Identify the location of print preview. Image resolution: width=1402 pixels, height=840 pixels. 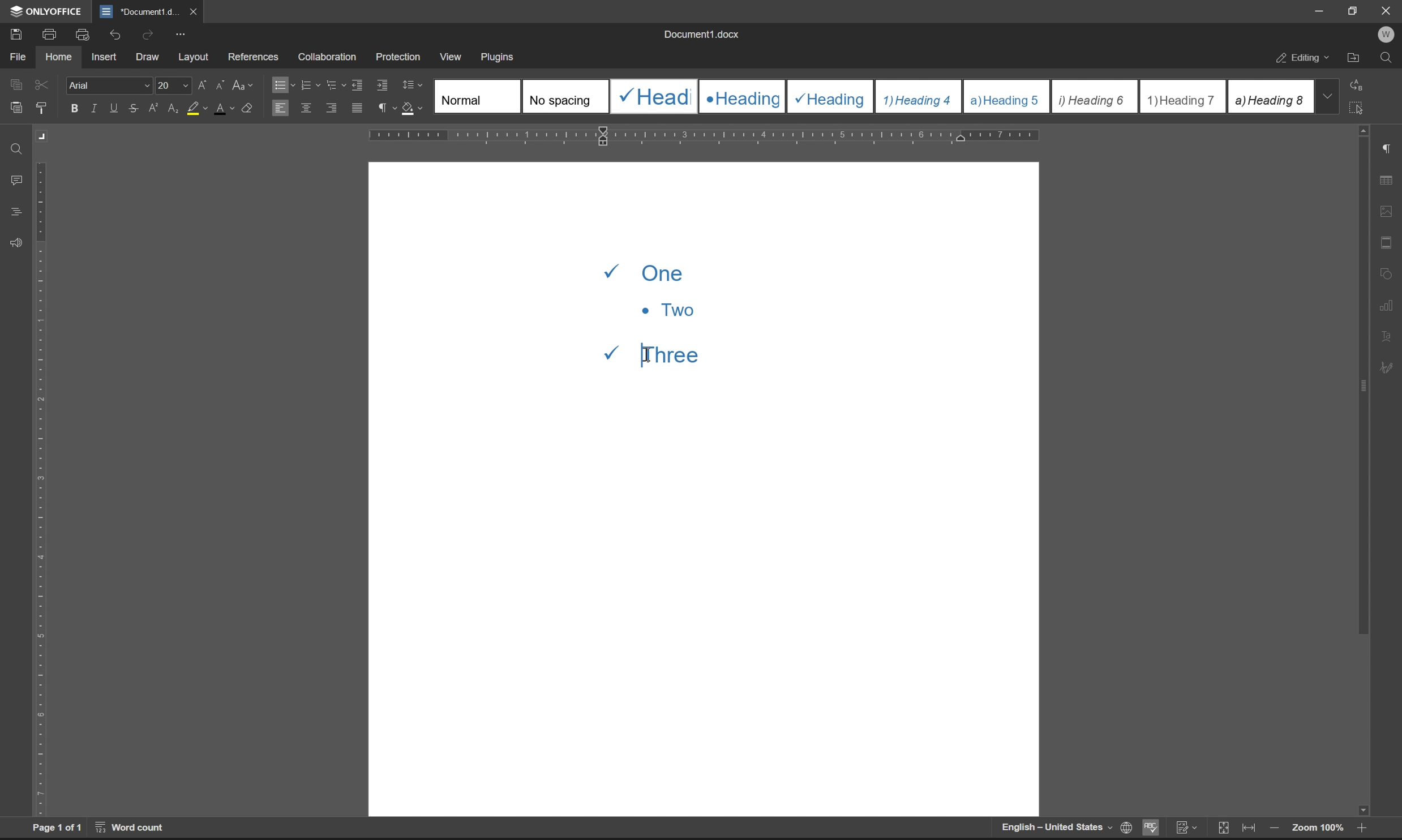
(84, 35).